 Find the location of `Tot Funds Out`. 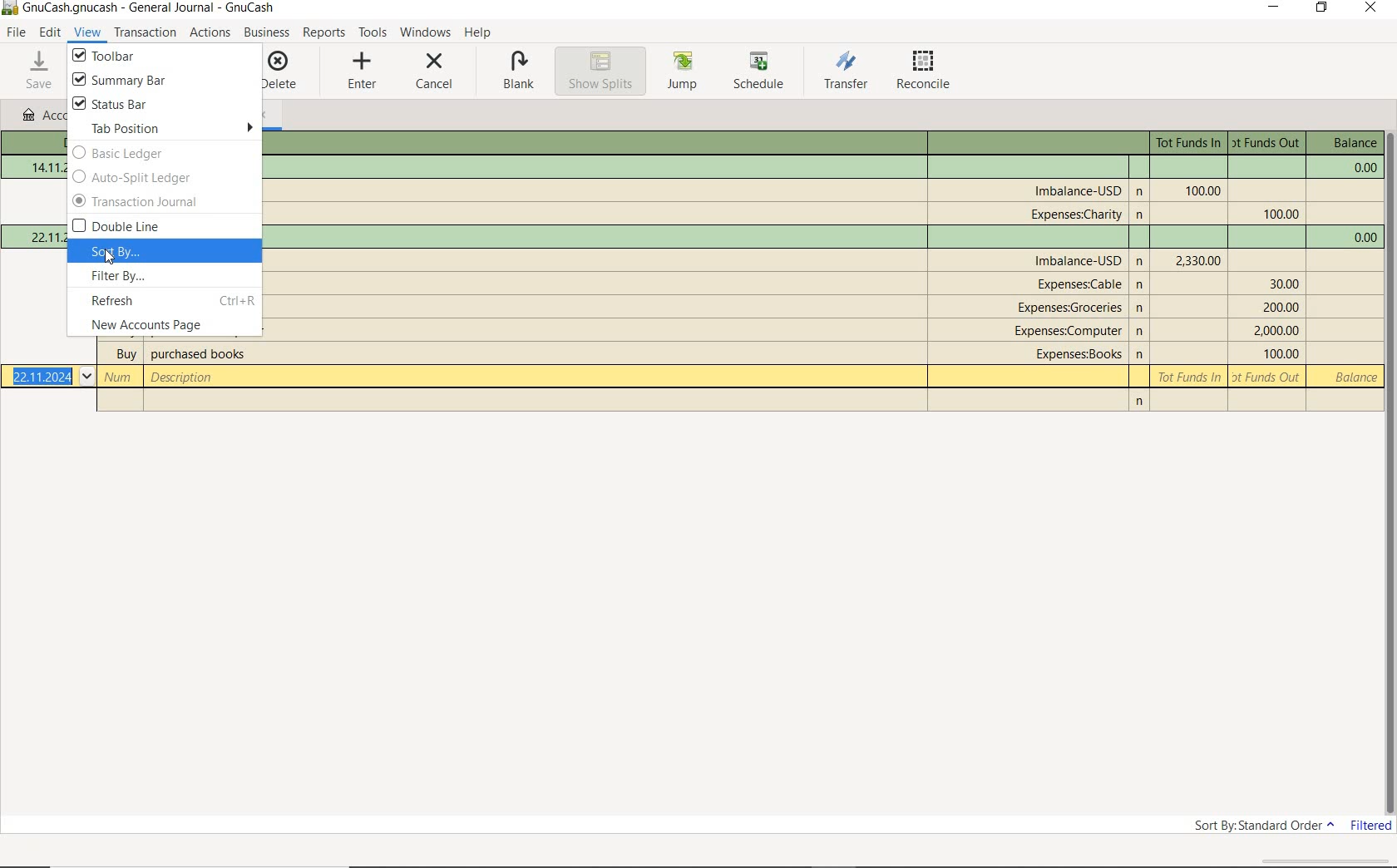

Tot Funds Out is located at coordinates (1281, 215).